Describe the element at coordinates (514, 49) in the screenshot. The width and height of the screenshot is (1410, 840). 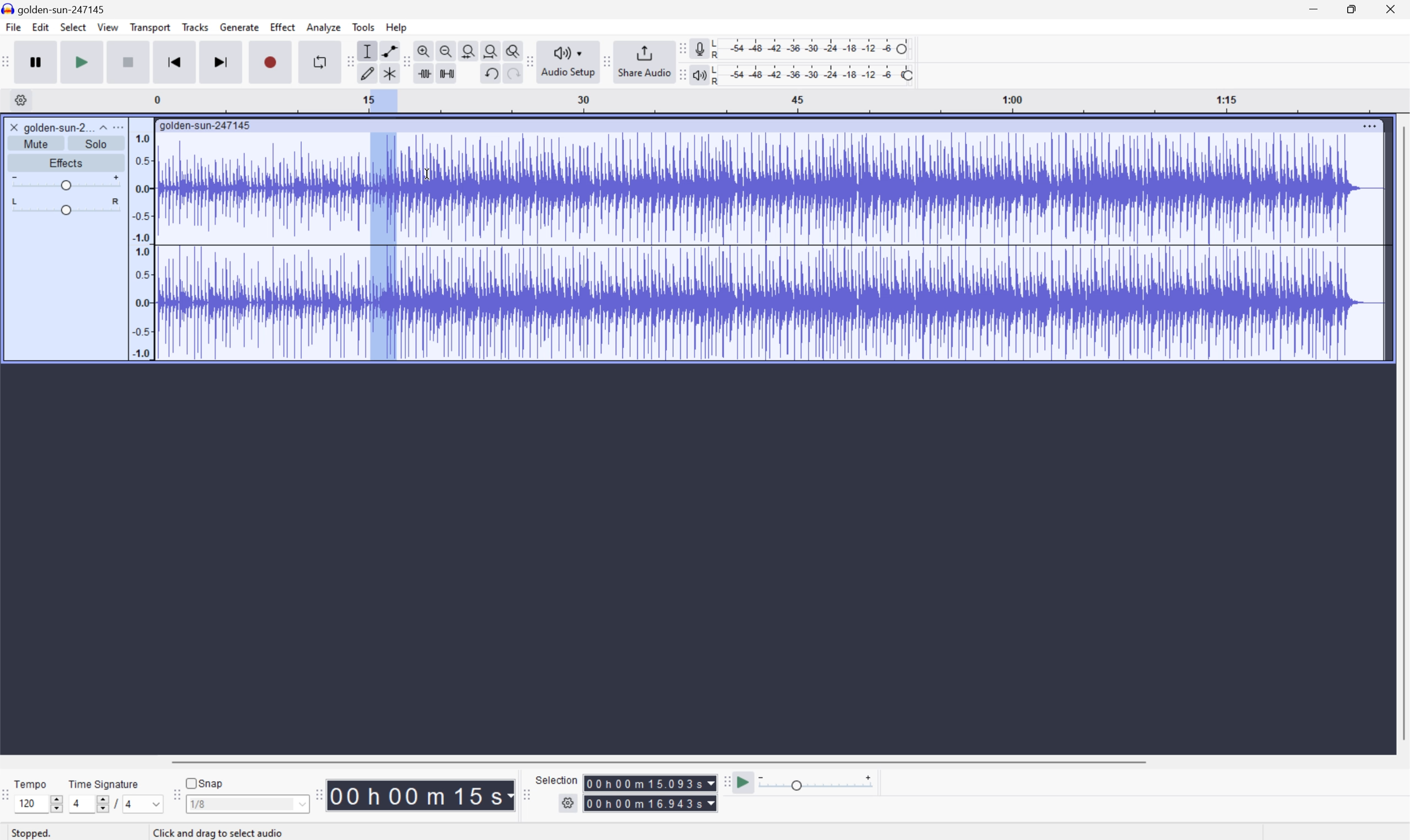
I see `Zoom toggle` at that location.